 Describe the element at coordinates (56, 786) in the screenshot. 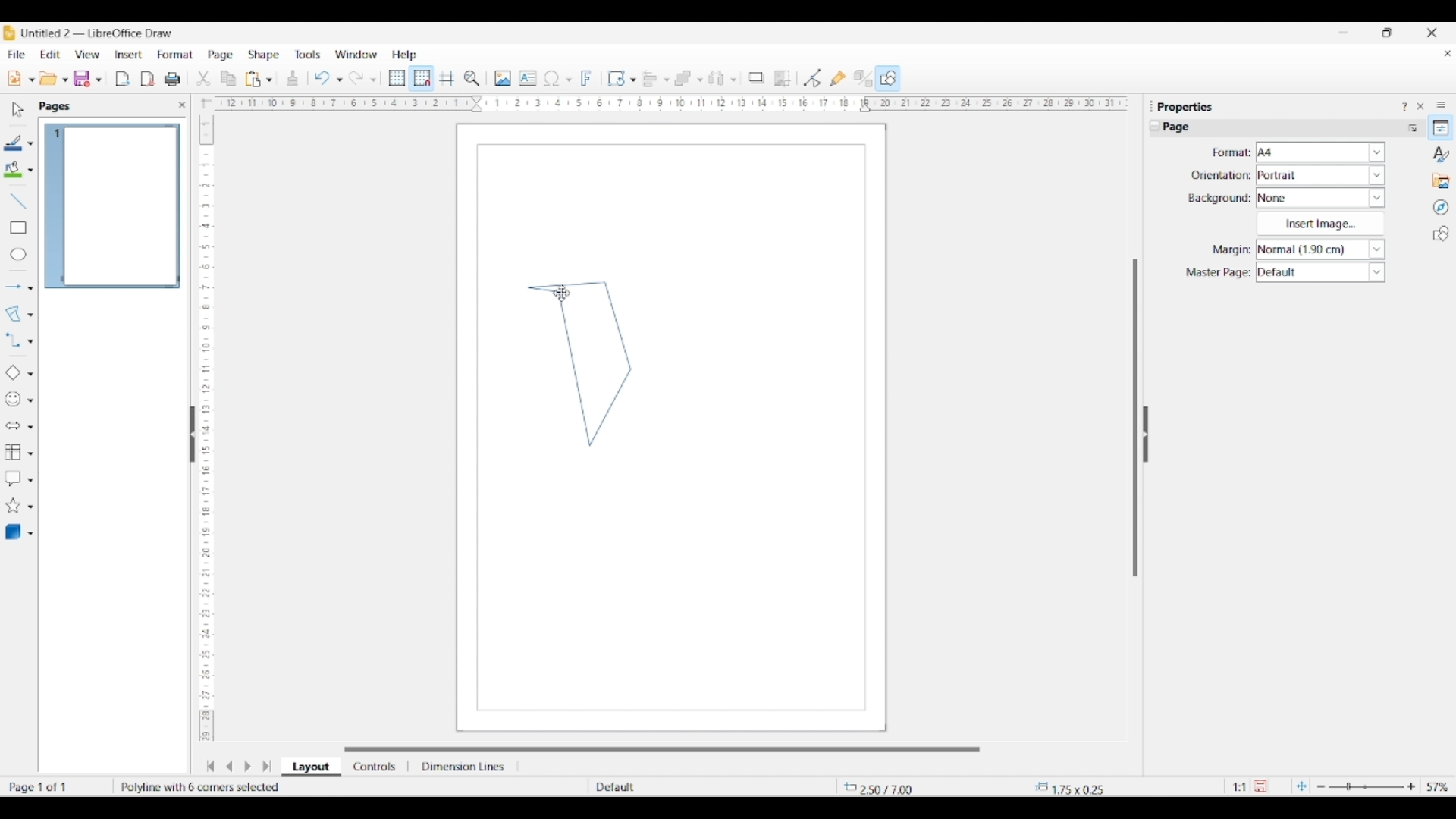

I see `Current page w.r.t. total number of pages` at that location.